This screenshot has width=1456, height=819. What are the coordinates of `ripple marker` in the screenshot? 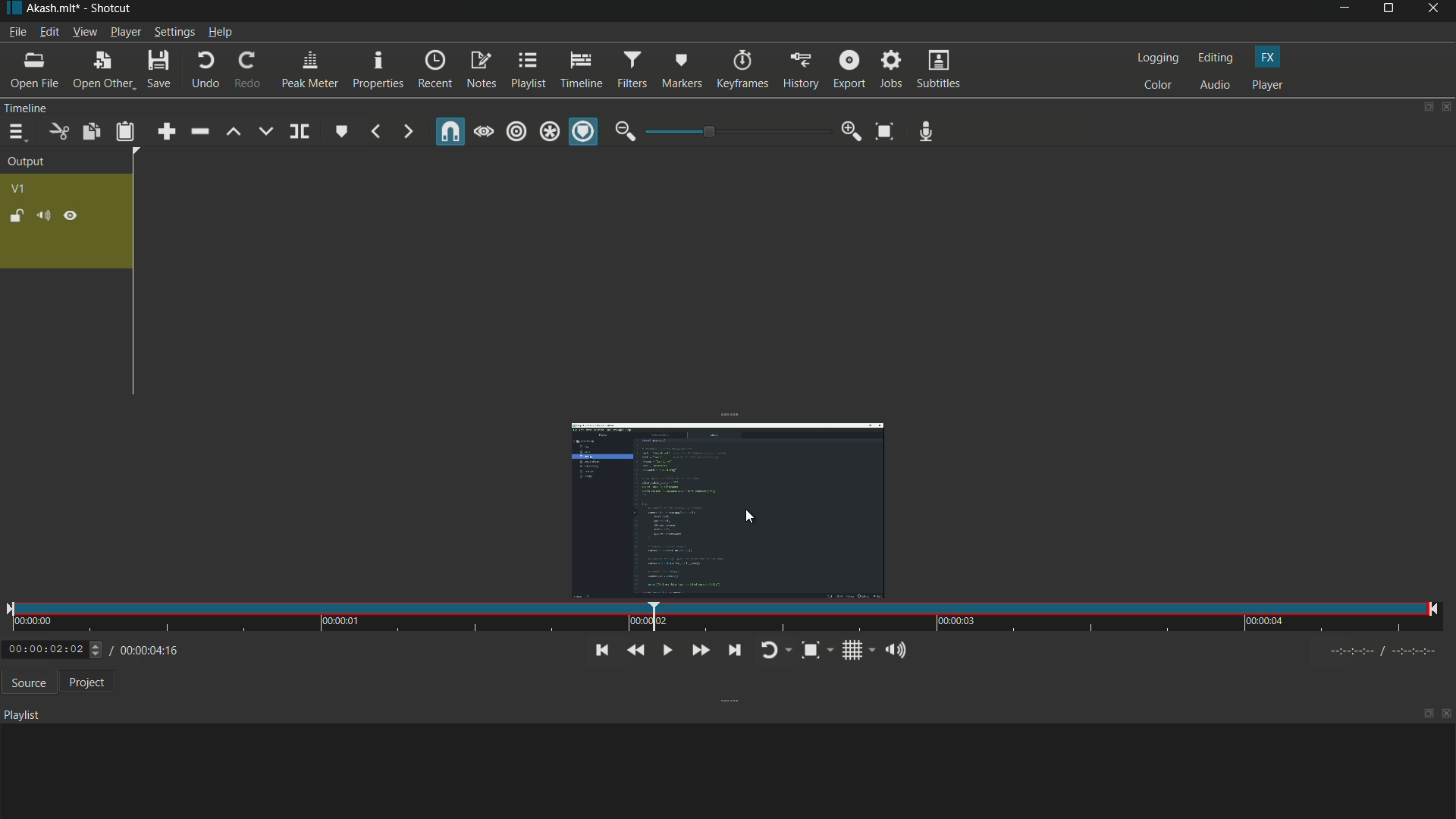 It's located at (583, 132).